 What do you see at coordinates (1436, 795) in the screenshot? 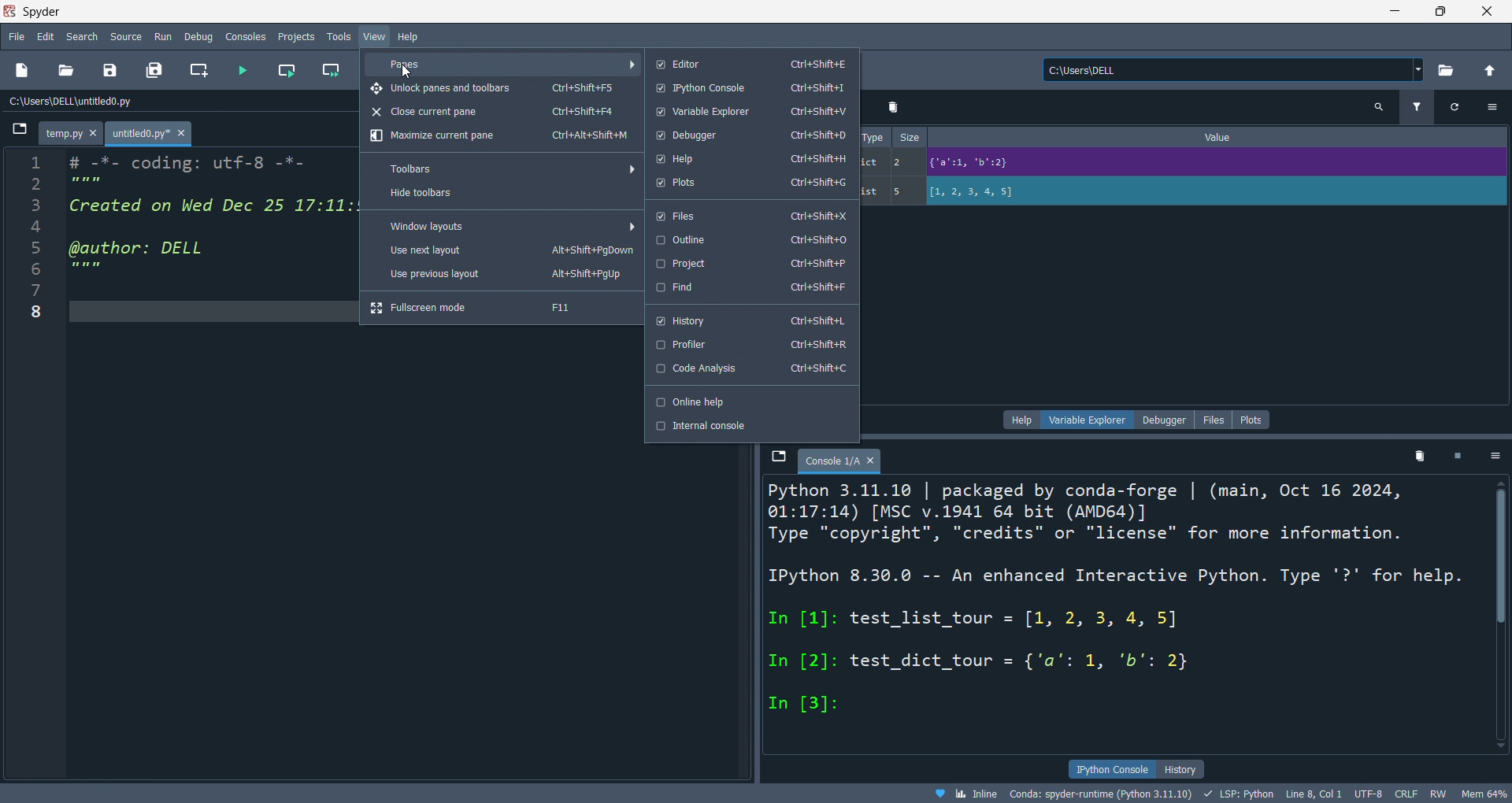
I see `rw` at bounding box center [1436, 795].